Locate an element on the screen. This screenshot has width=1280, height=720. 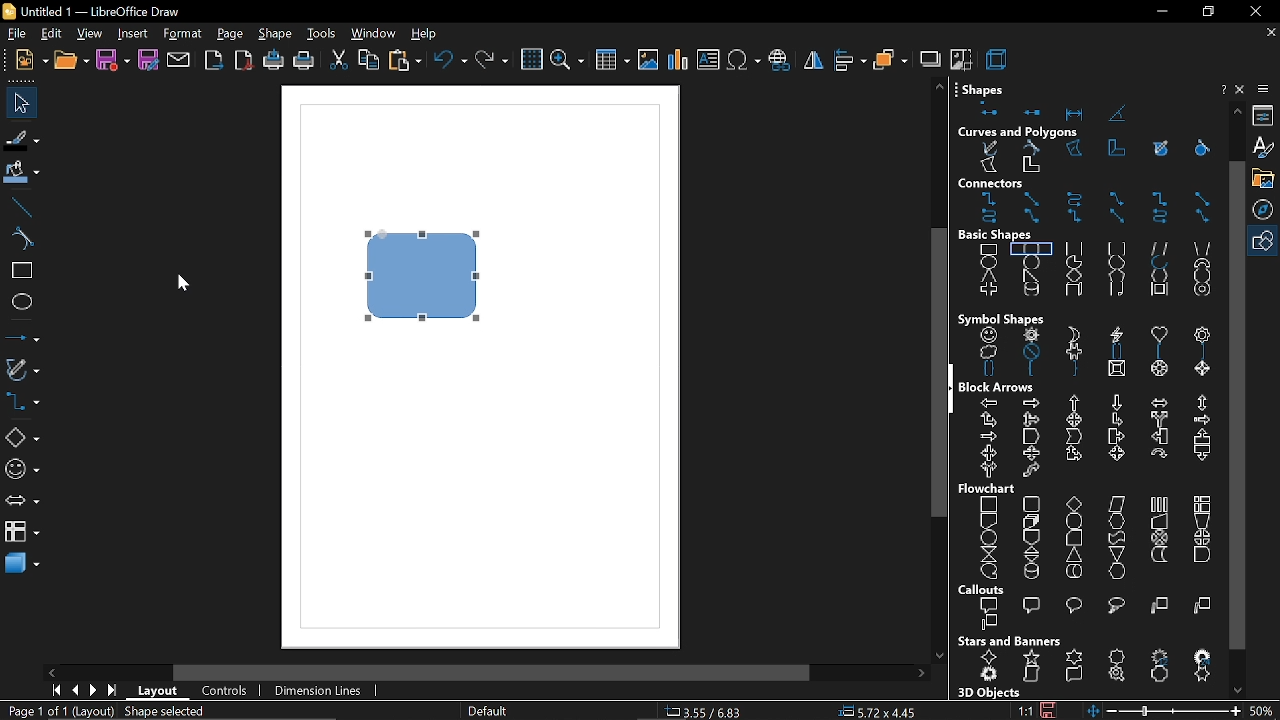
current zoom is located at coordinates (1263, 710).